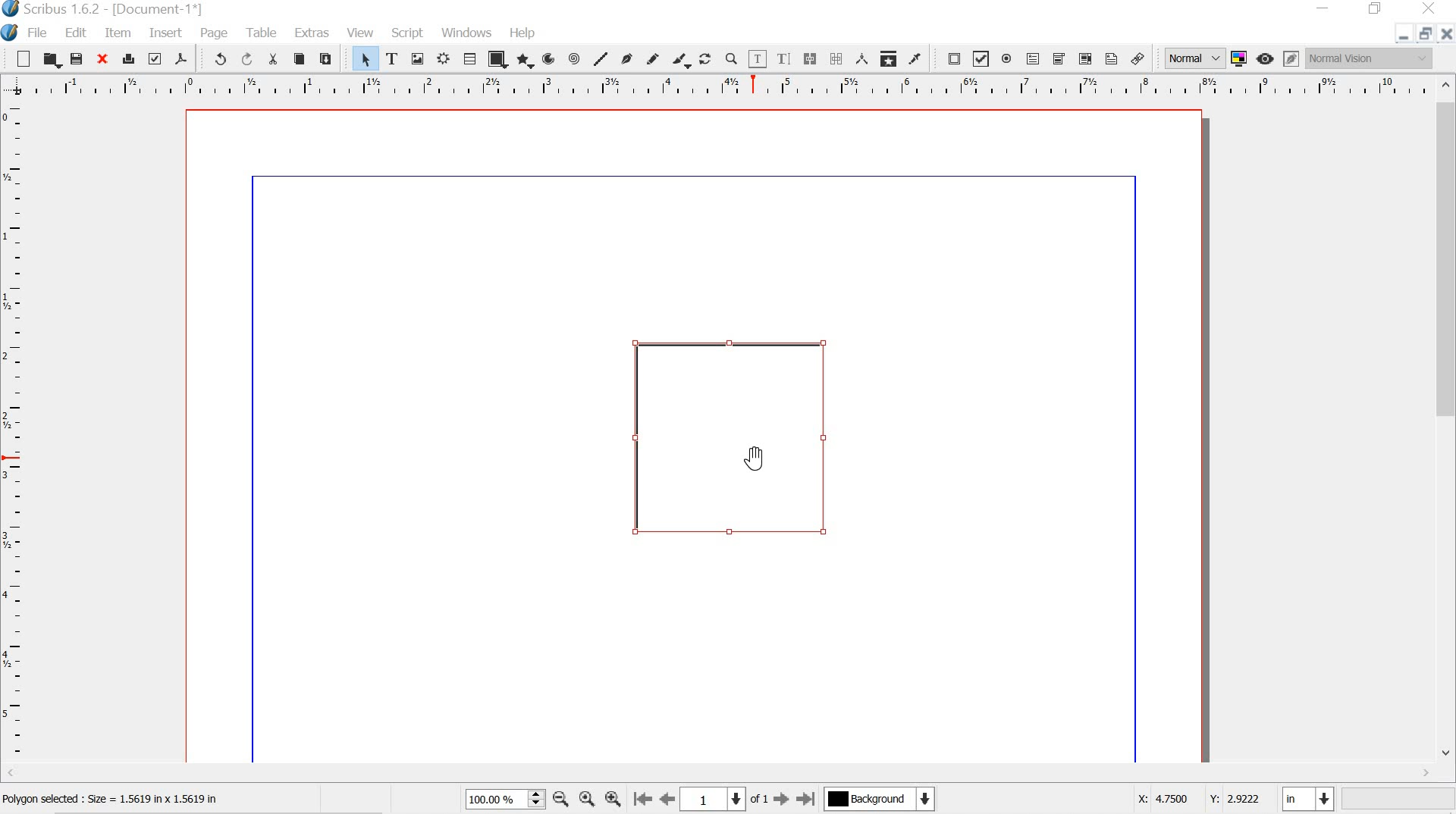 The image size is (1456, 814). Describe the element at coordinates (492, 800) in the screenshot. I see `100.00 %` at that location.